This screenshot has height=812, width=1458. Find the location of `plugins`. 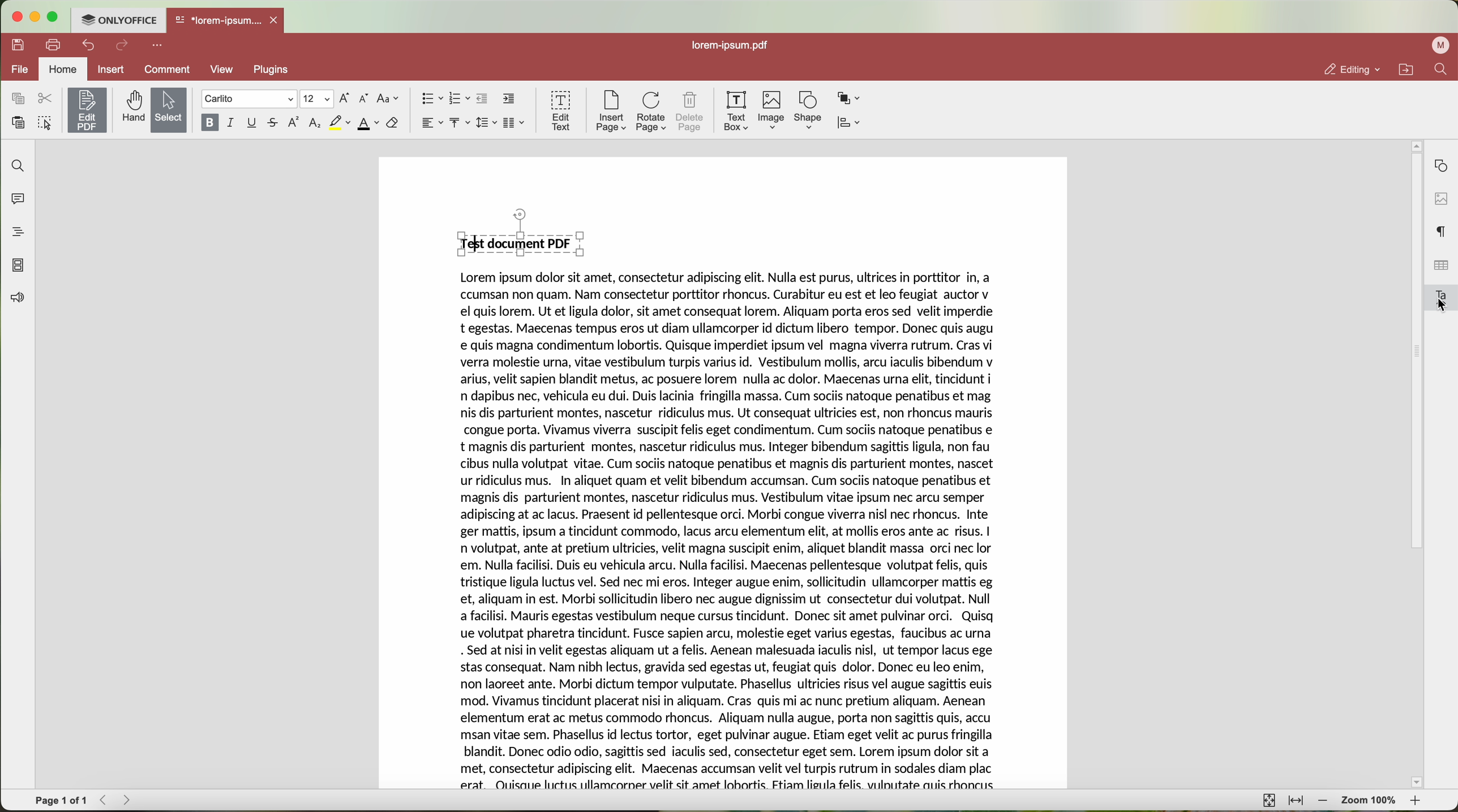

plugins is located at coordinates (273, 71).